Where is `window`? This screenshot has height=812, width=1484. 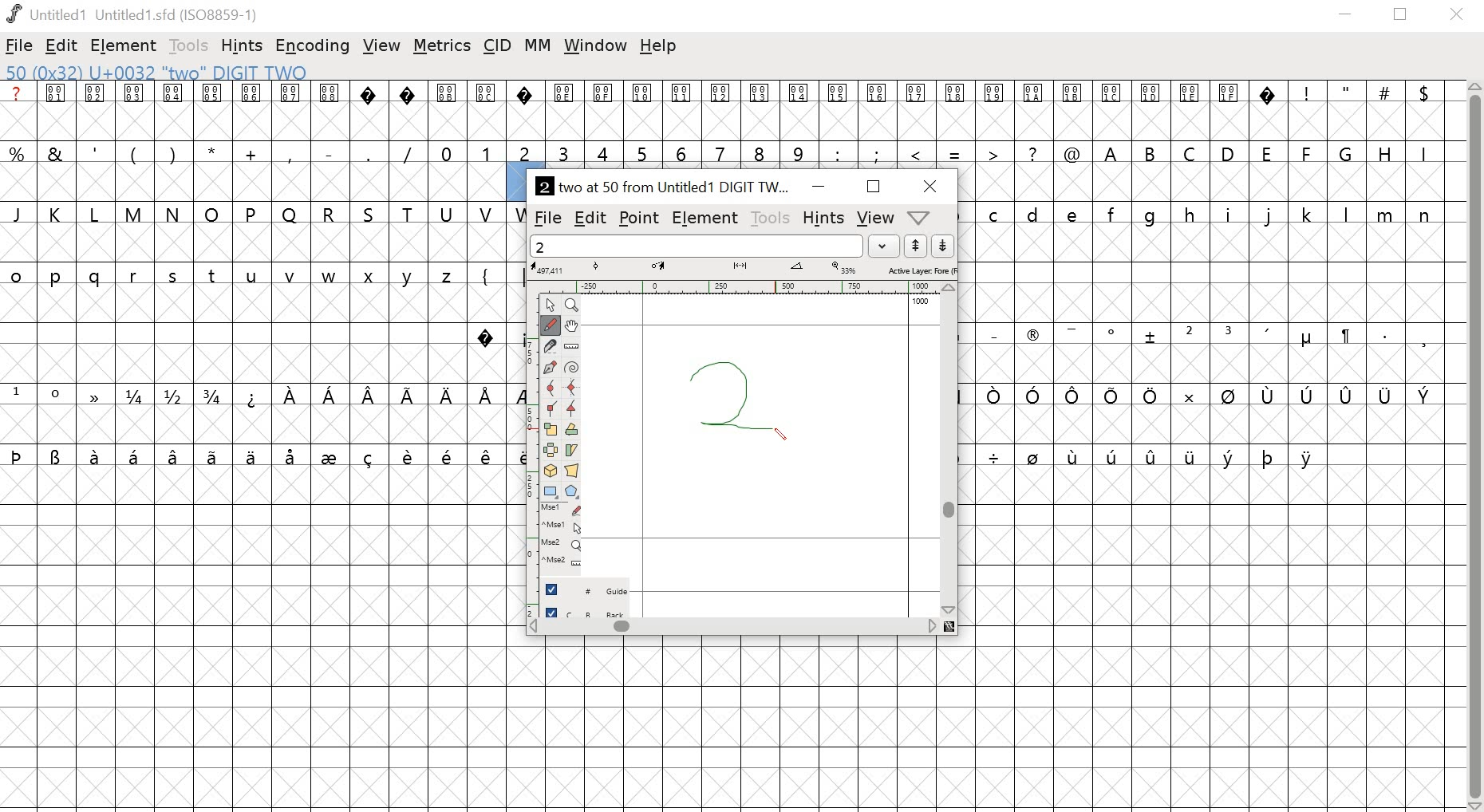
window is located at coordinates (595, 48).